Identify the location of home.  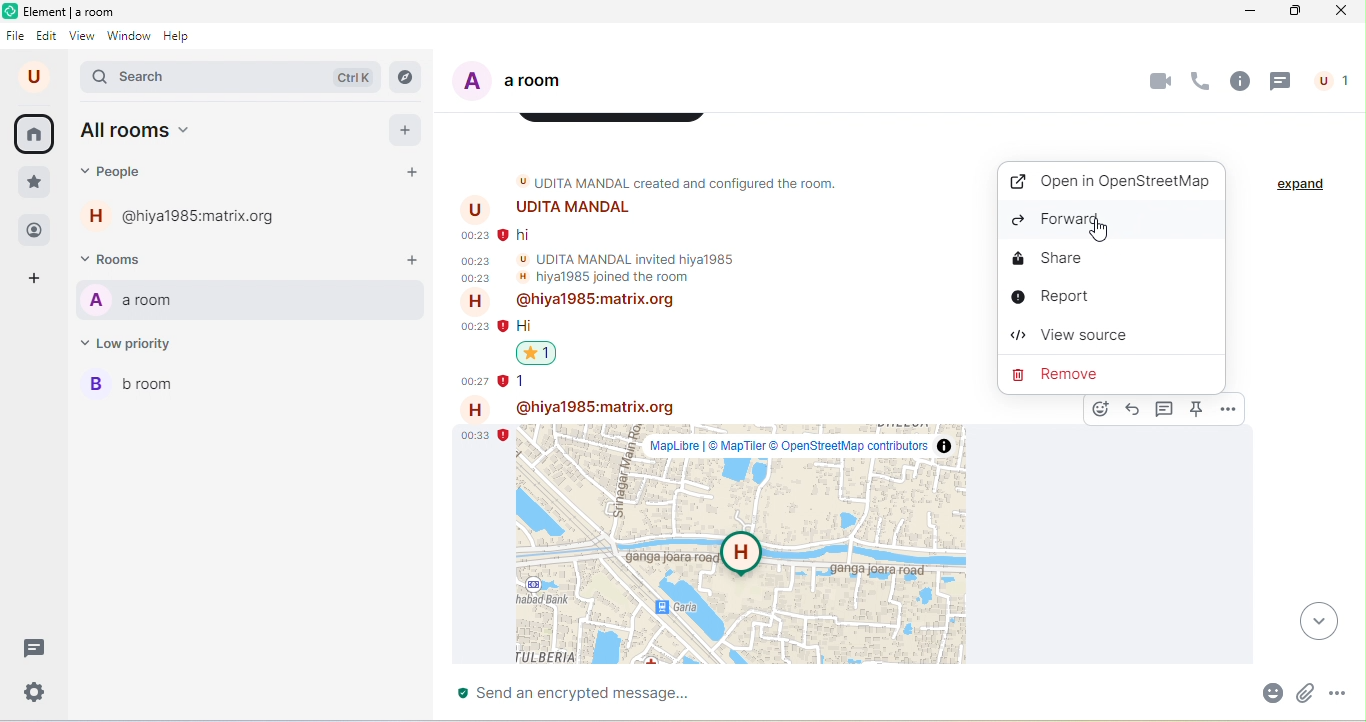
(36, 135).